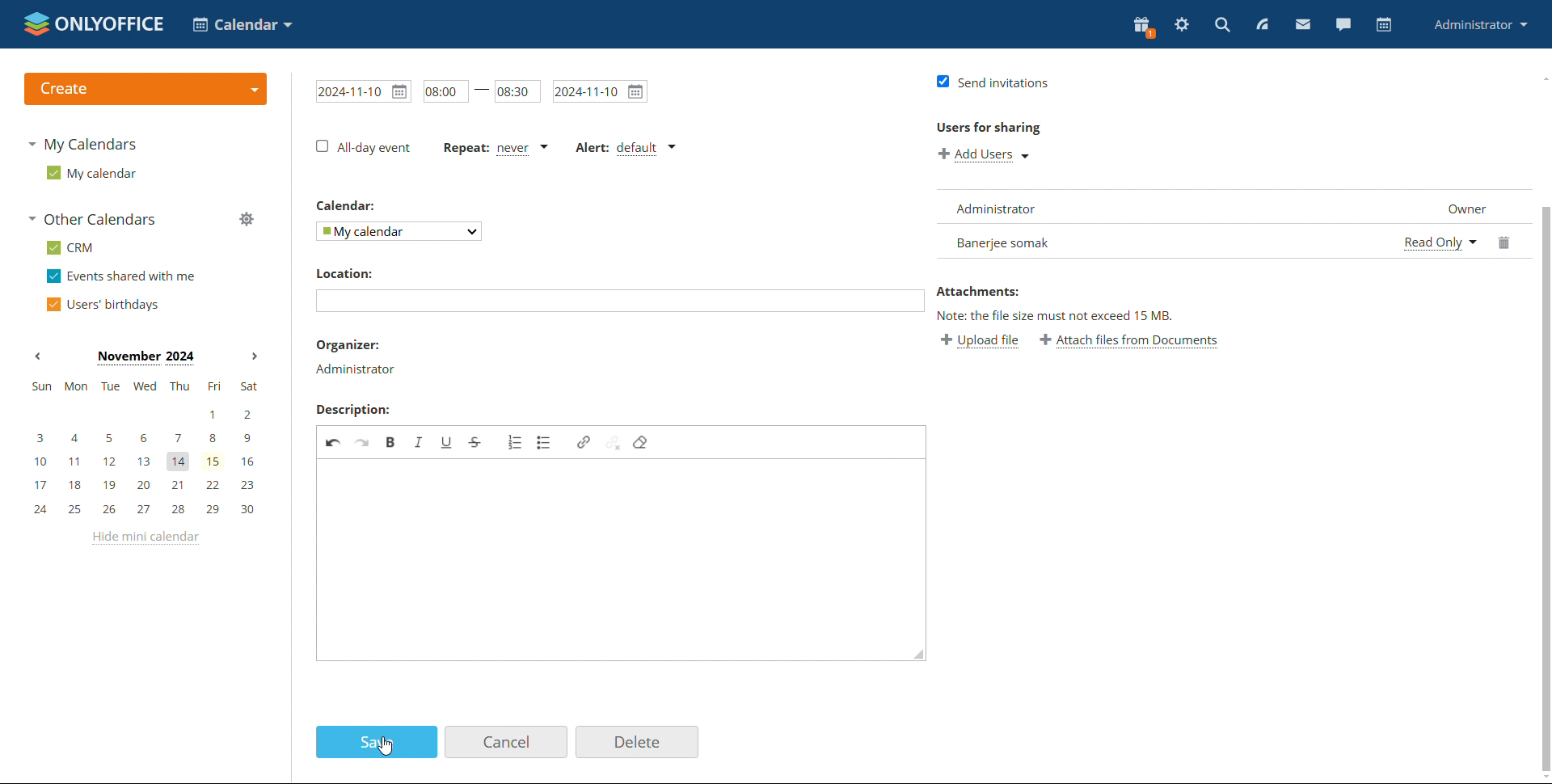 This screenshot has width=1552, height=784. Describe the element at coordinates (333, 444) in the screenshot. I see `undo` at that location.